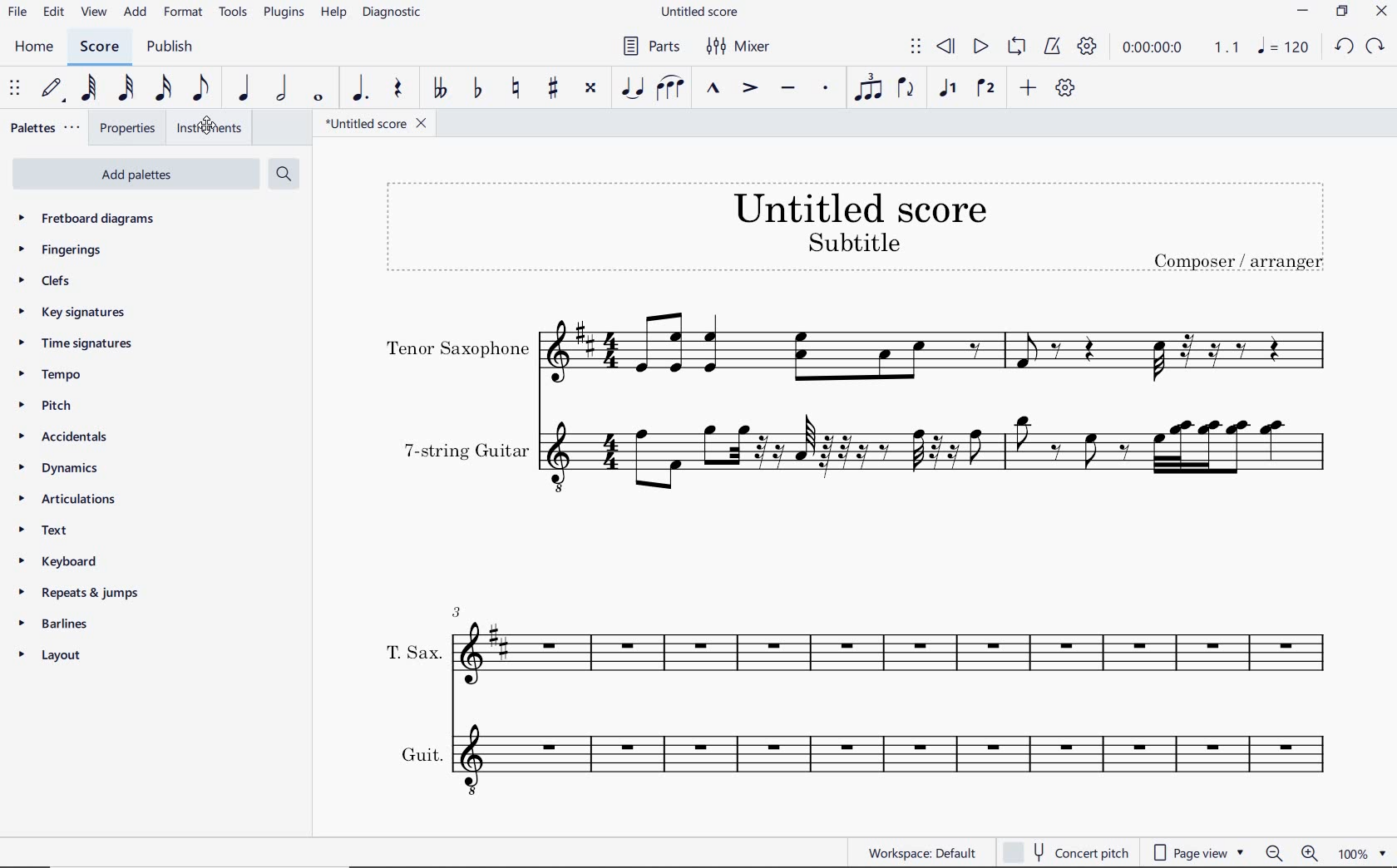 This screenshot has width=1397, height=868. I want to click on ADD, so click(136, 13).